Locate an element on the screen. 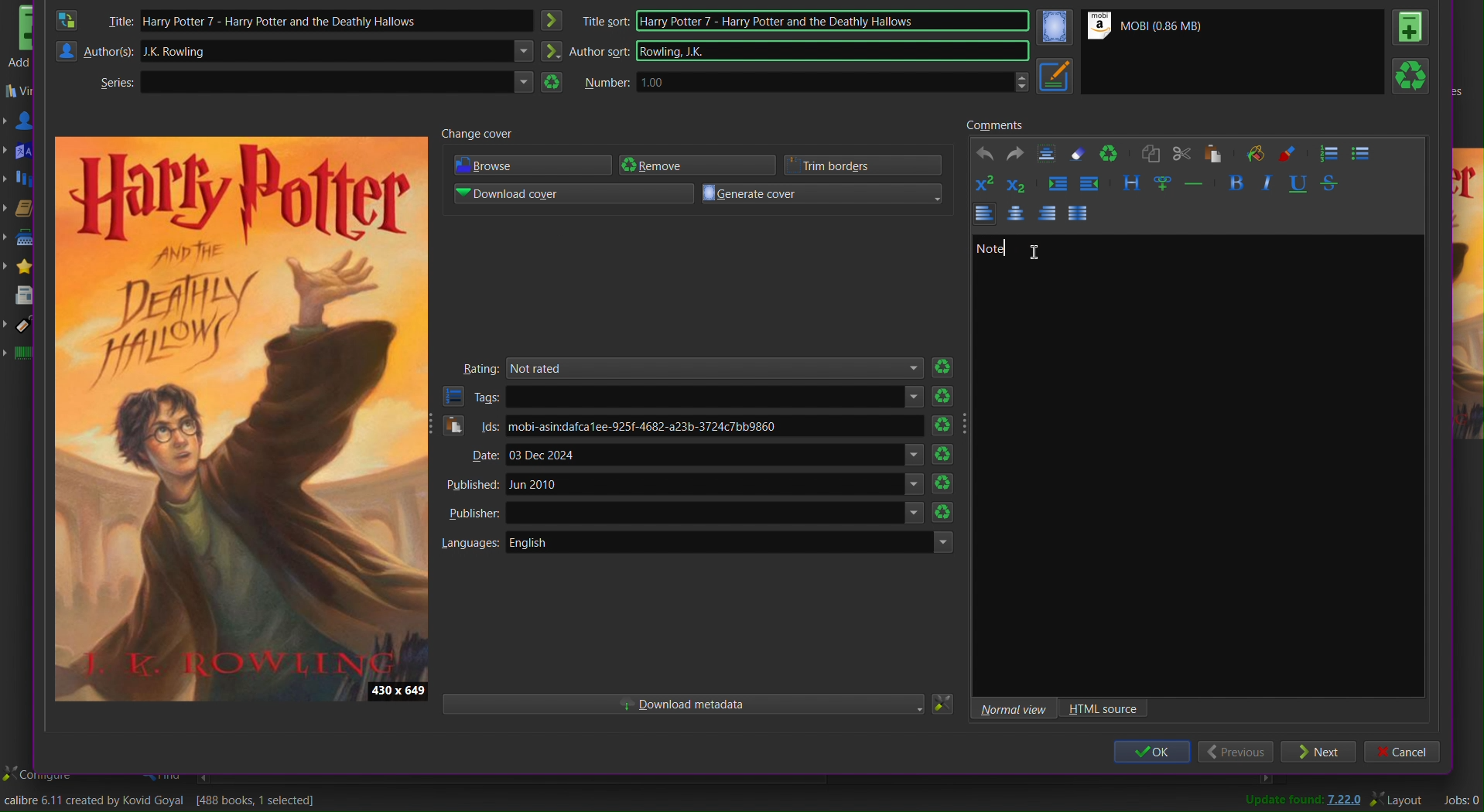 The width and height of the screenshot is (1484, 812). Tags is located at coordinates (470, 397).